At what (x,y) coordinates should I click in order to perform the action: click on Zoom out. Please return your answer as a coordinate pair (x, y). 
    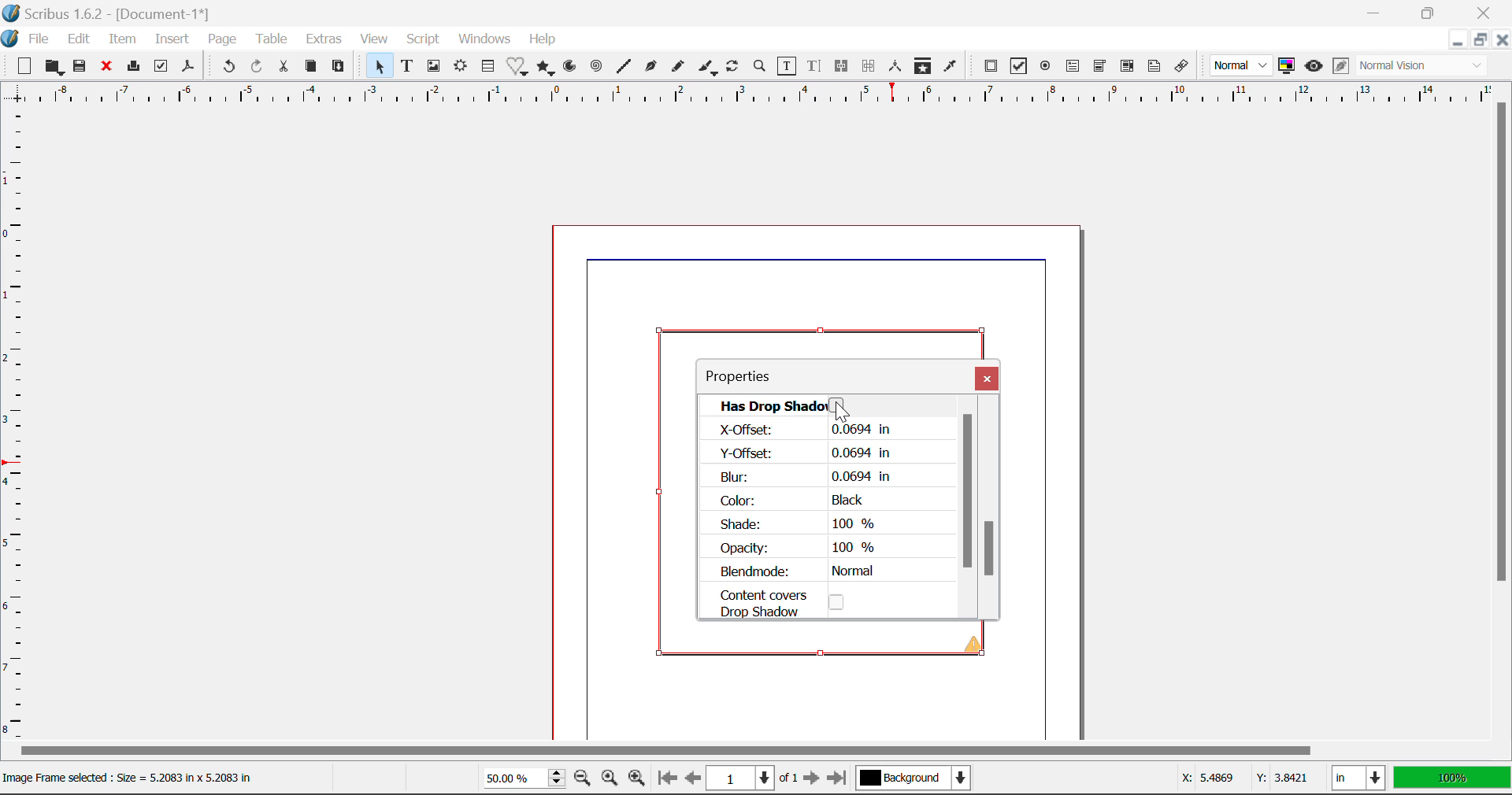
    Looking at the image, I should click on (582, 779).